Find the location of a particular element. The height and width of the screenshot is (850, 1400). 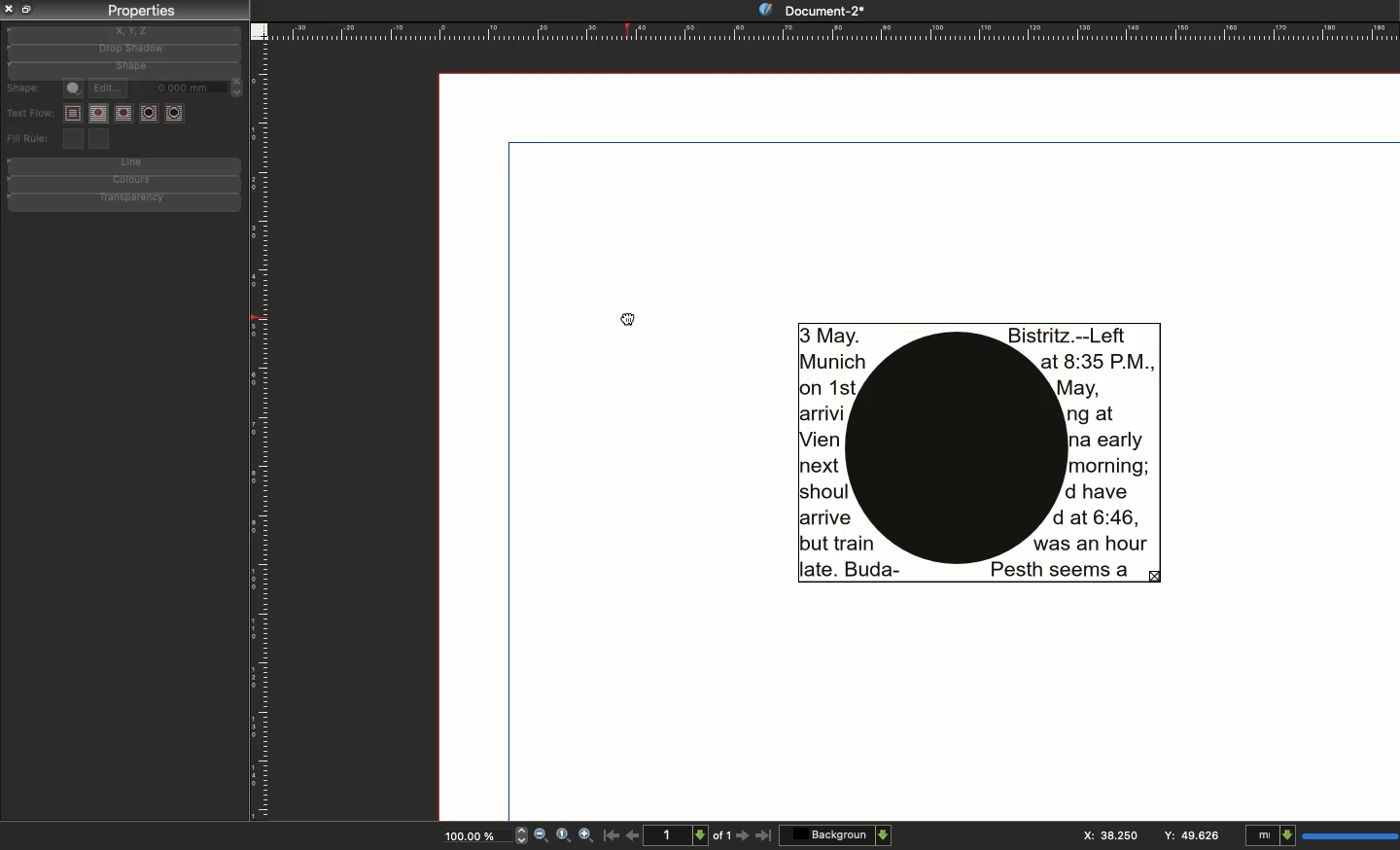

Text flow wrap is located at coordinates (124, 115).